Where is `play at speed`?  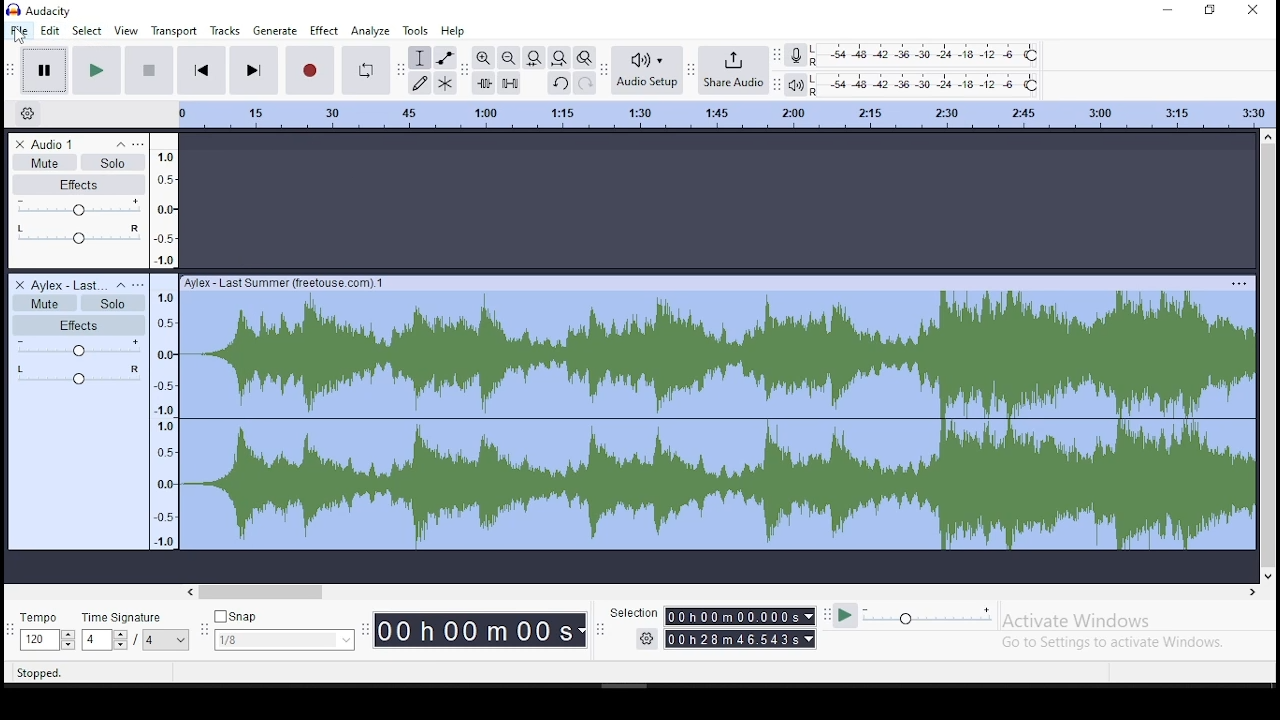 play at speed is located at coordinates (847, 616).